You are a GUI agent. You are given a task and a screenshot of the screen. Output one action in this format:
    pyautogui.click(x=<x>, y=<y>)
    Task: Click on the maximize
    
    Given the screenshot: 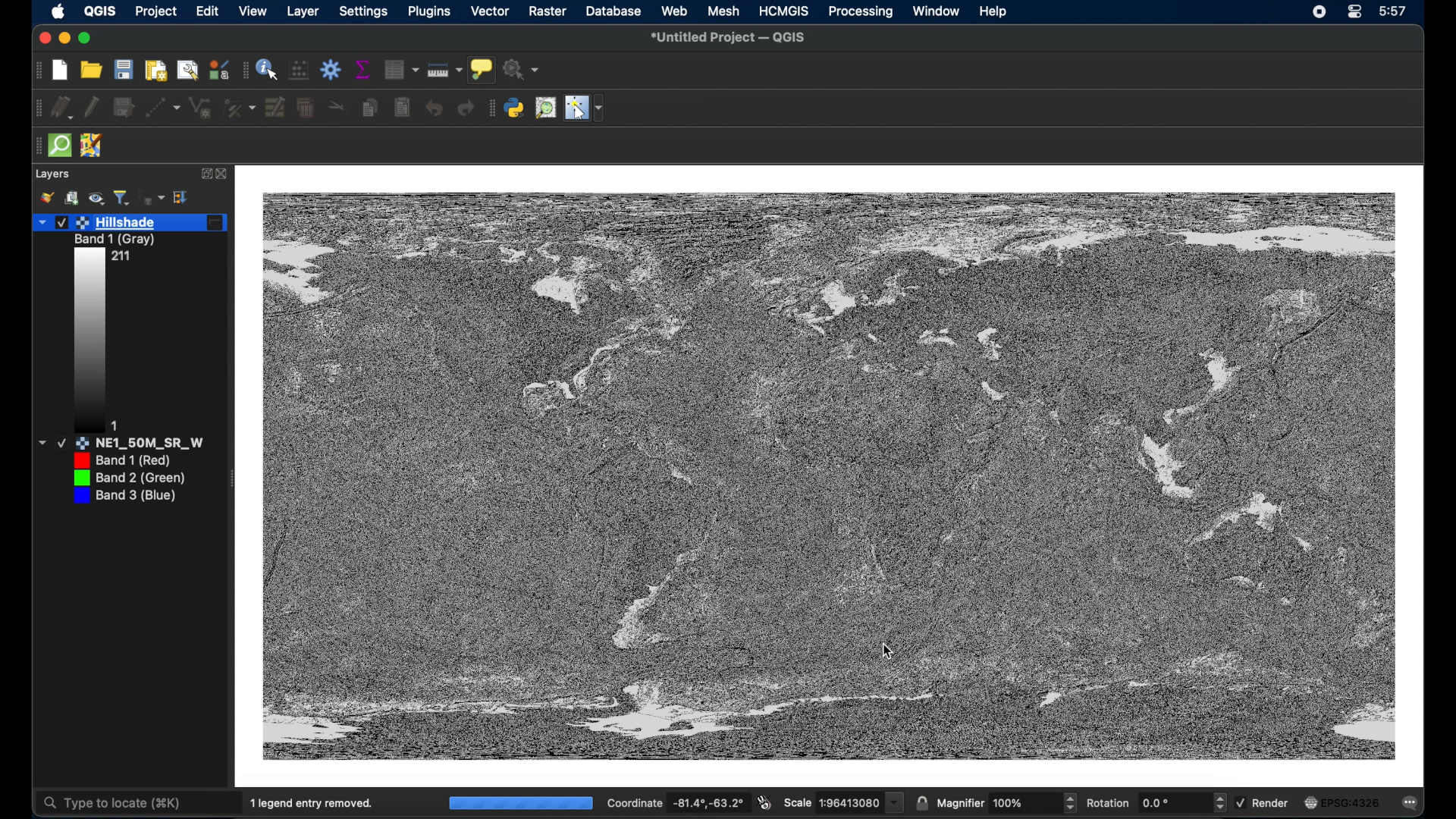 What is the action you would take?
    pyautogui.click(x=86, y=39)
    